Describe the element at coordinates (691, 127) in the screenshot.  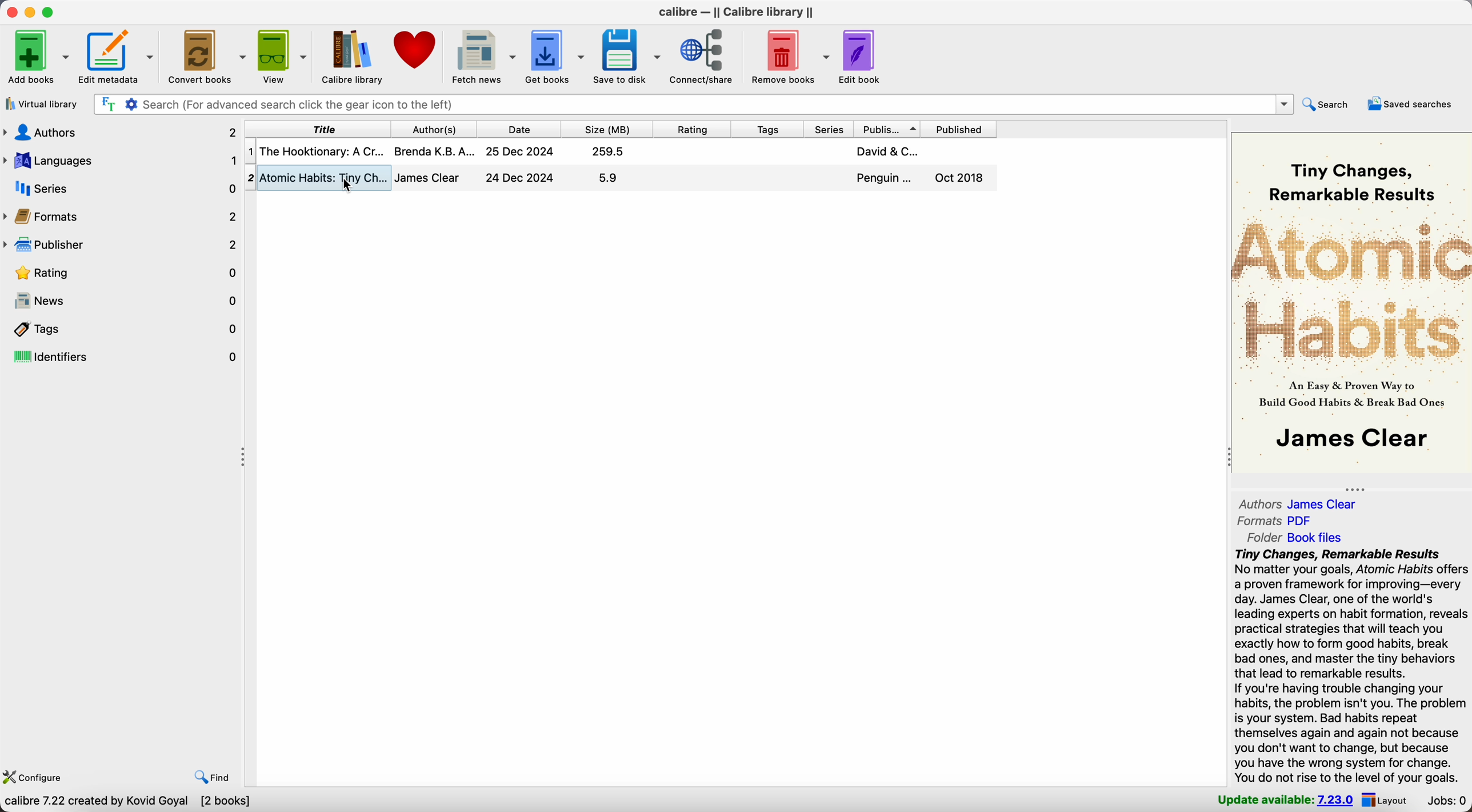
I see `rating` at that location.